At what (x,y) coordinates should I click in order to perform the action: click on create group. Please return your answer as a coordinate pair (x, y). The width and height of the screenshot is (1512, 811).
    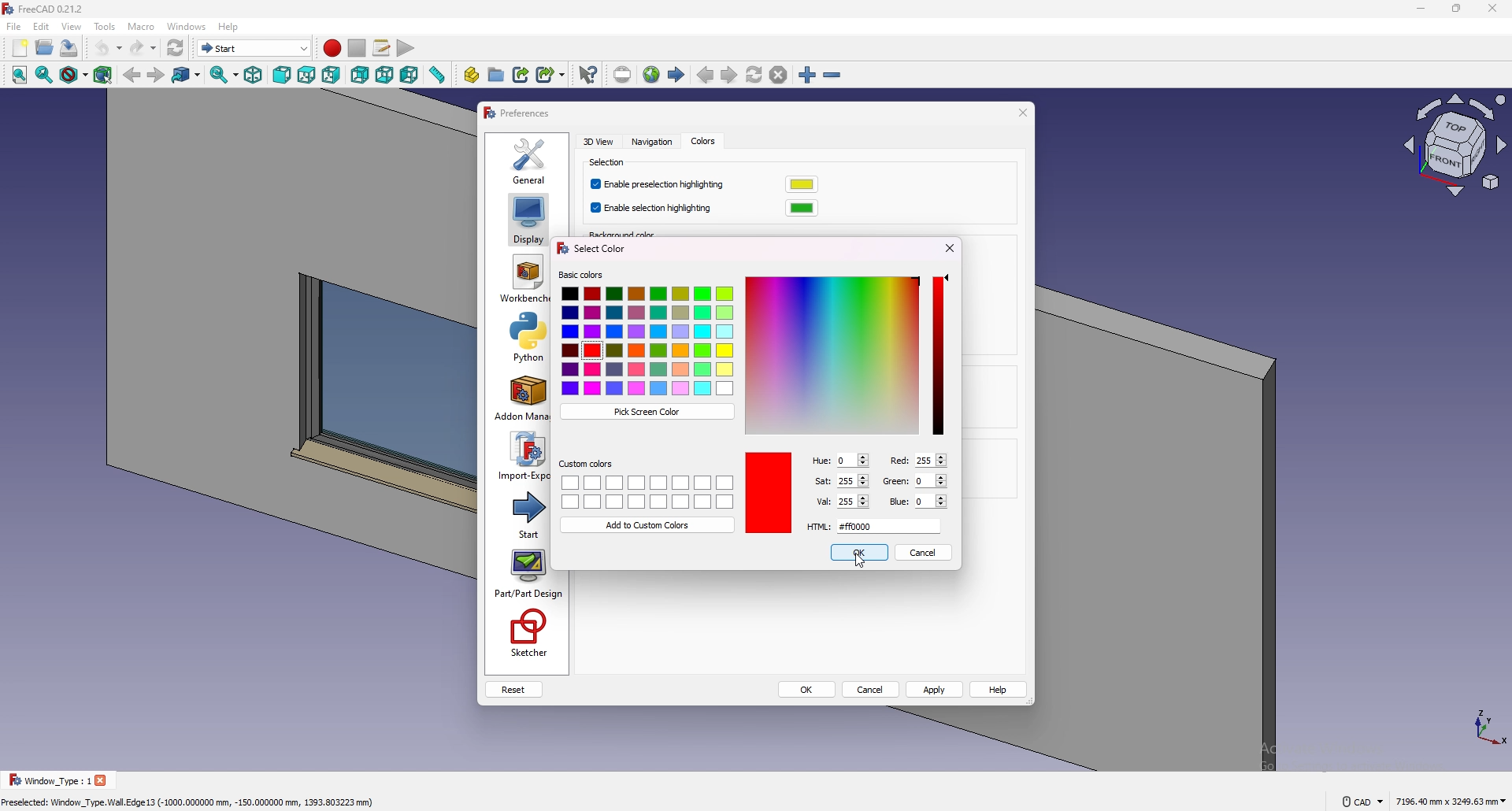
    Looking at the image, I should click on (498, 74).